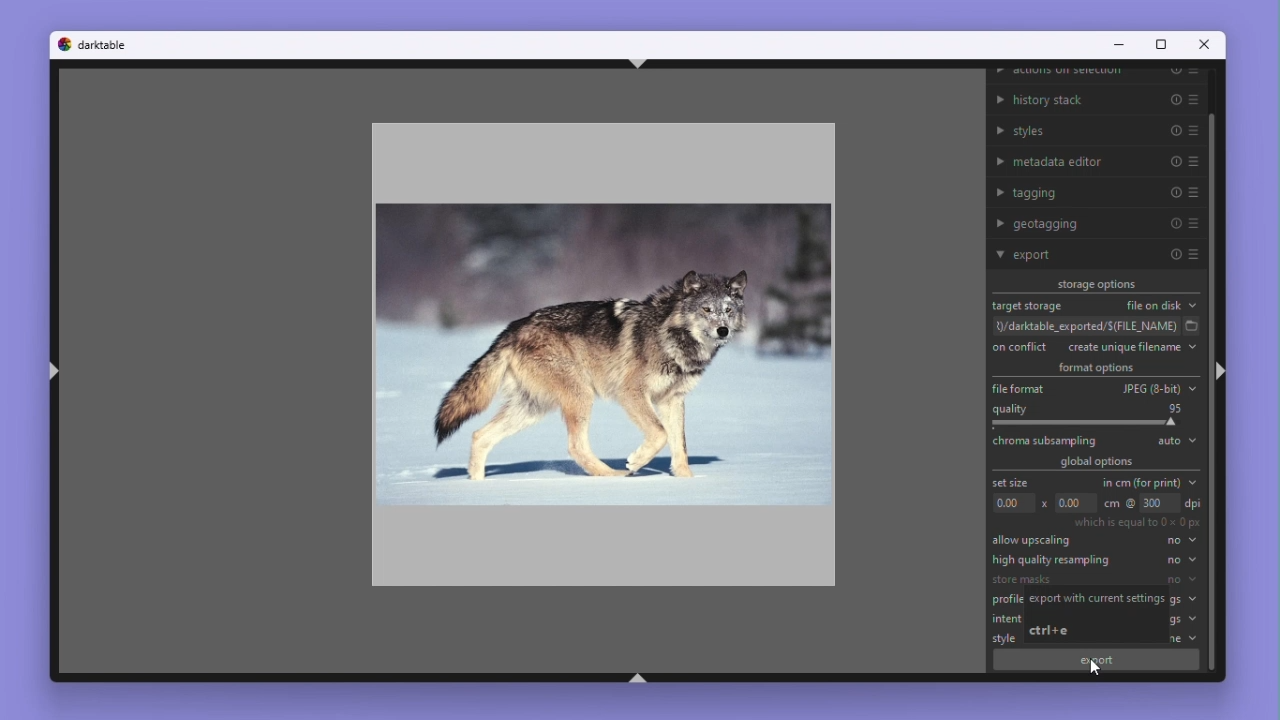  Describe the element at coordinates (1096, 192) in the screenshot. I see `Tagging` at that location.